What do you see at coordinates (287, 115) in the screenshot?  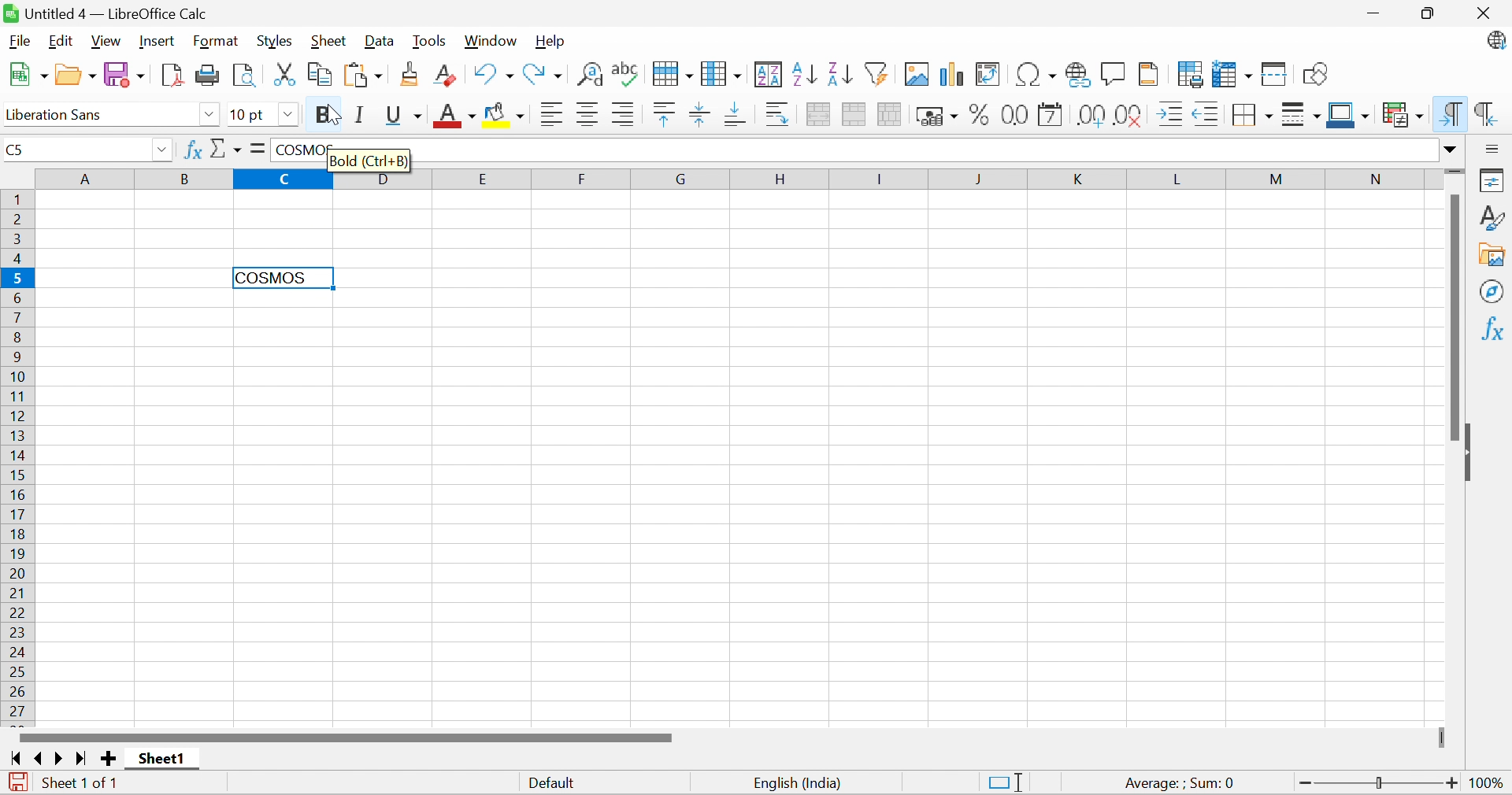 I see `Drop Down` at bounding box center [287, 115].